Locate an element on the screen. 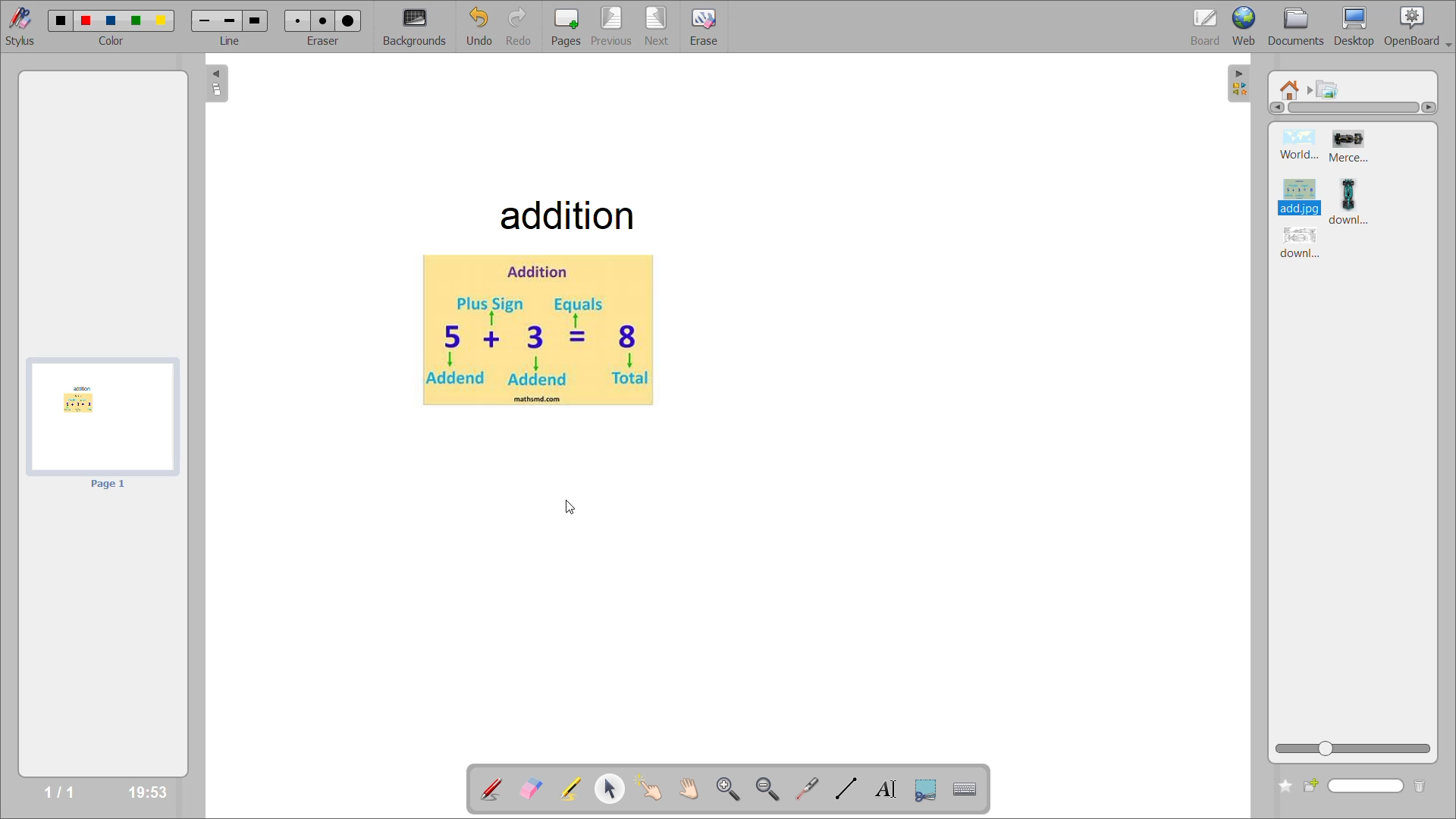 Image resolution: width=1456 pixels, height=819 pixels. color 4 is located at coordinates (134, 22).